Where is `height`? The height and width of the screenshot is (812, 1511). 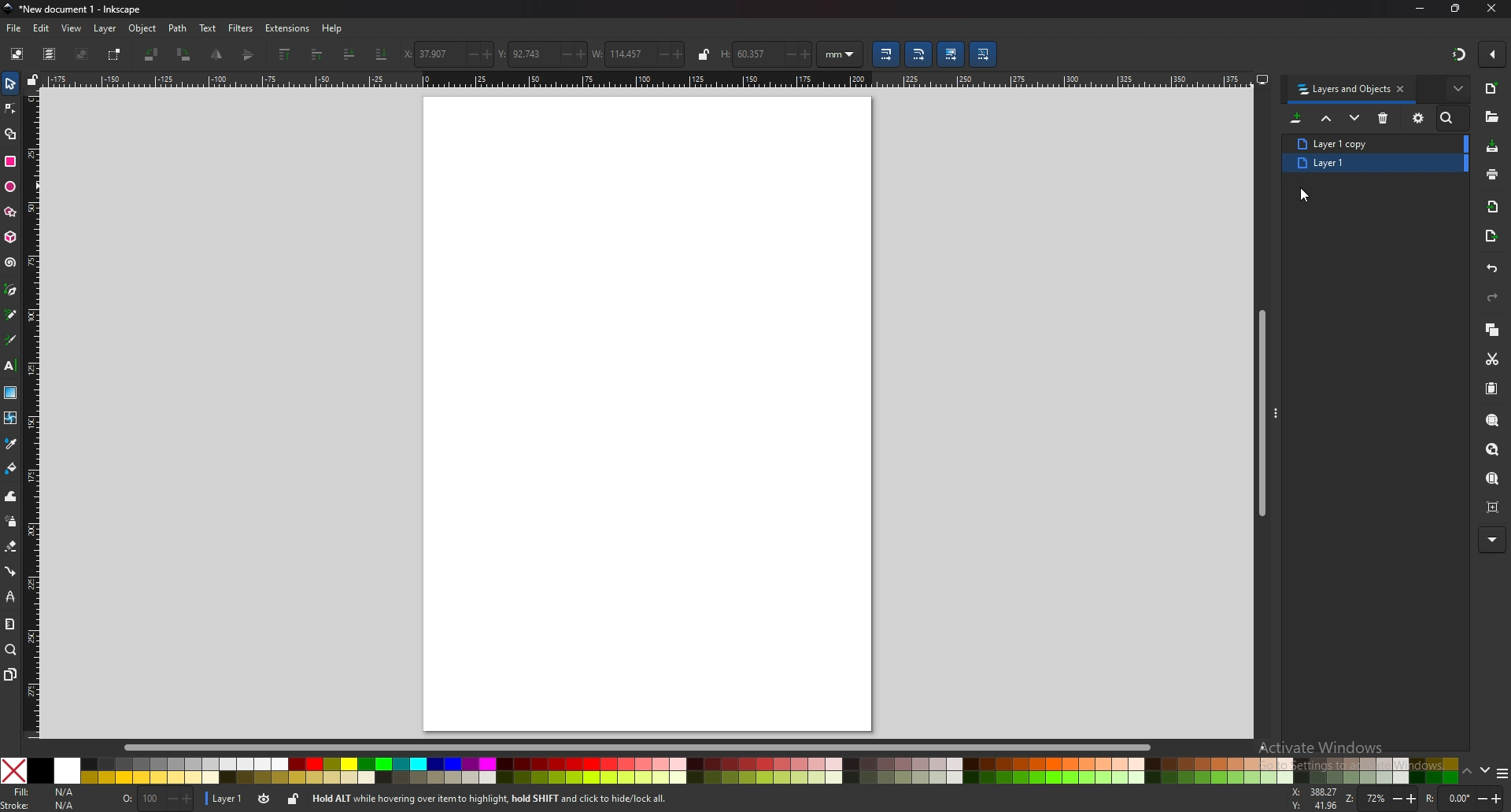
height is located at coordinates (744, 54).